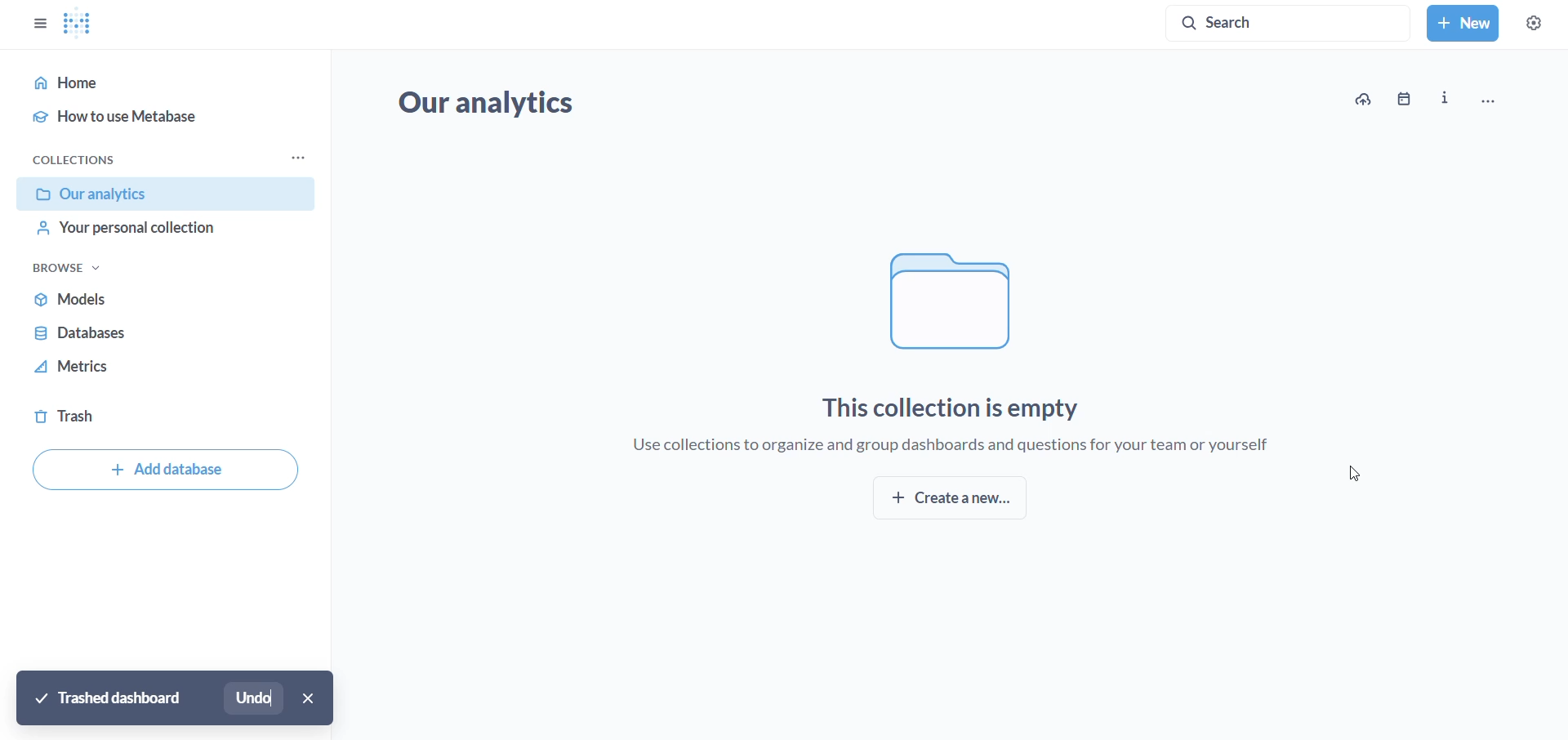  I want to click on metrics, so click(153, 373).